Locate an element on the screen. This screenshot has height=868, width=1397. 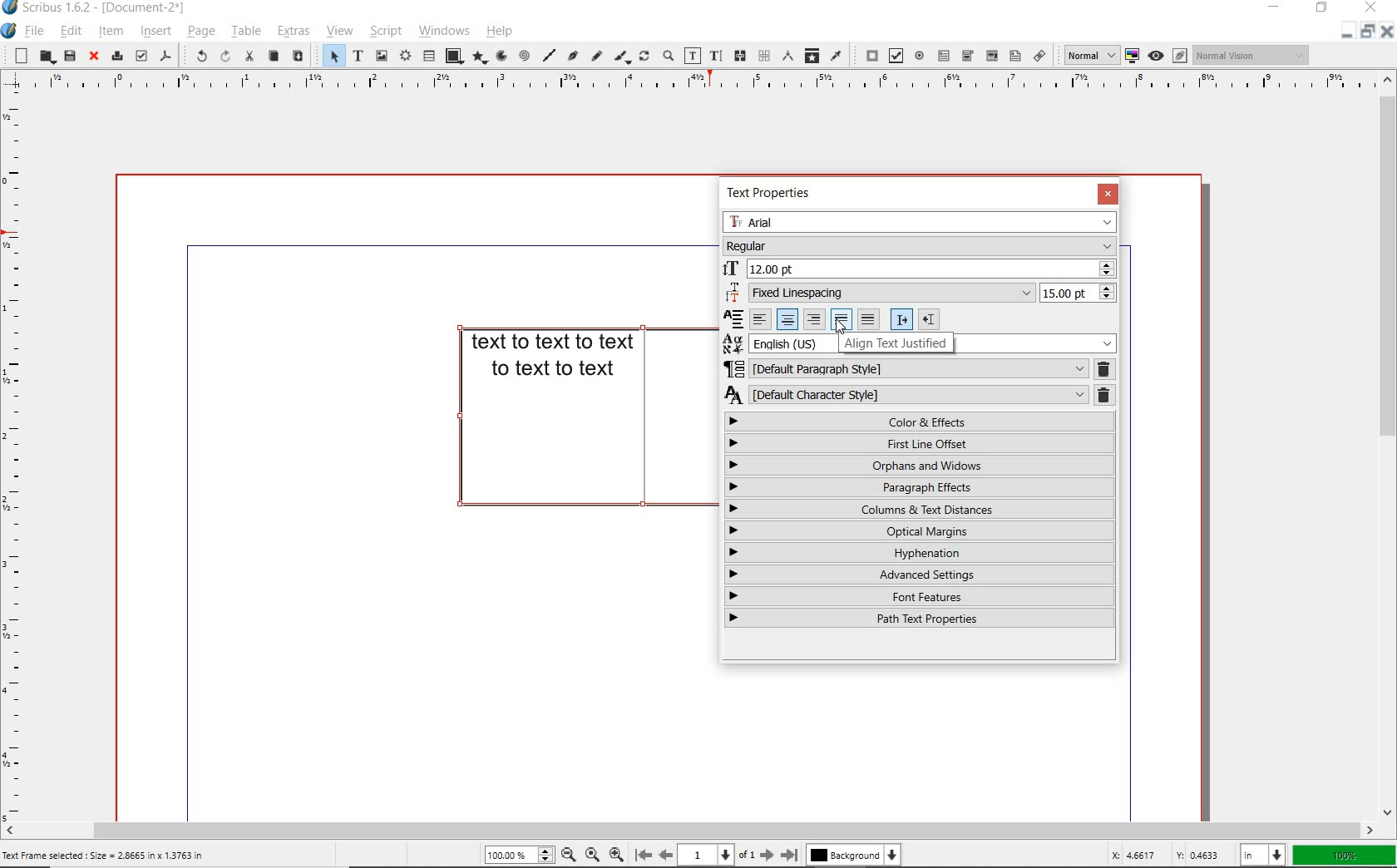
polygon is located at coordinates (477, 57).